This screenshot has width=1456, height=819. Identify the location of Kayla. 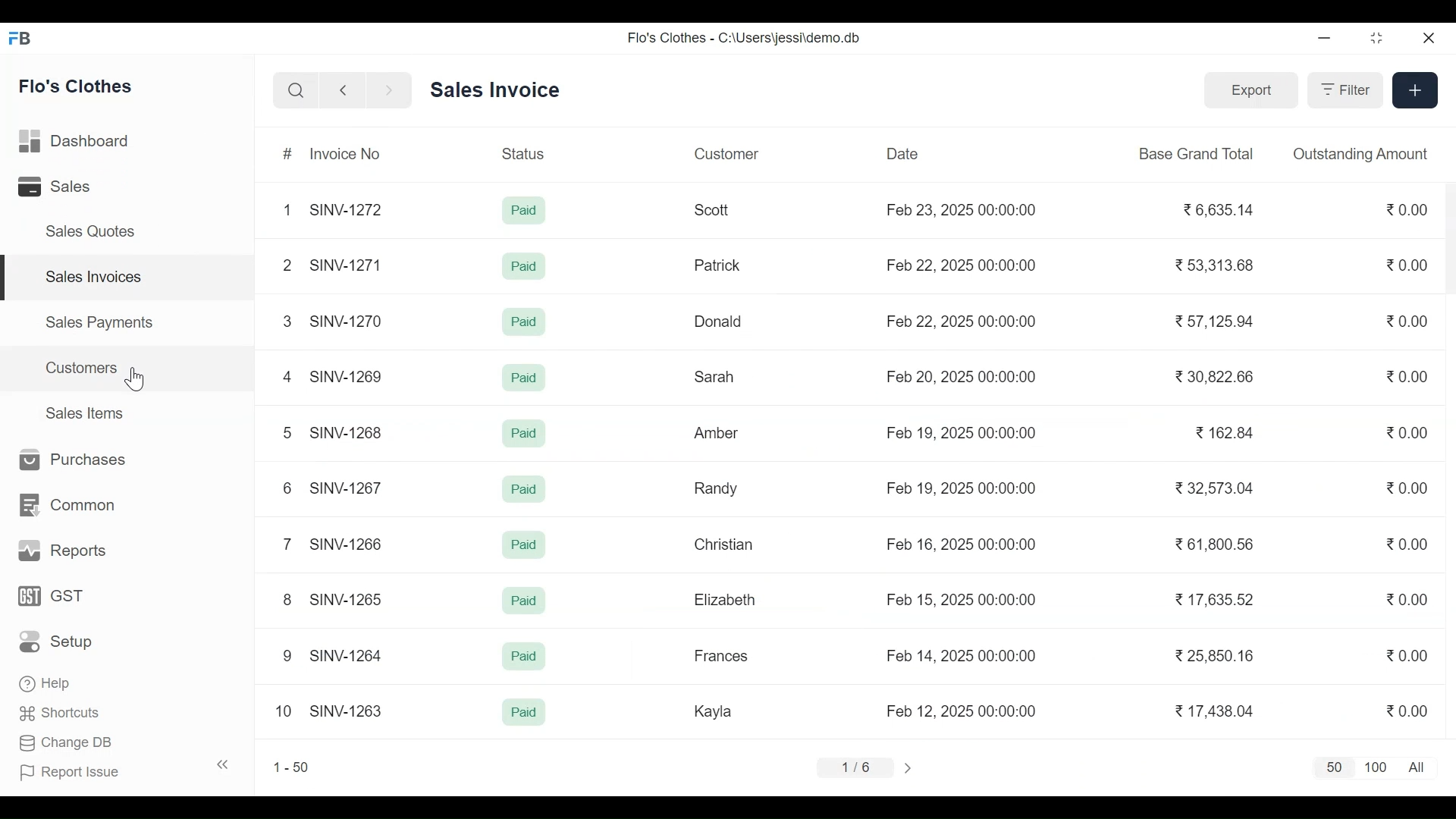
(711, 711).